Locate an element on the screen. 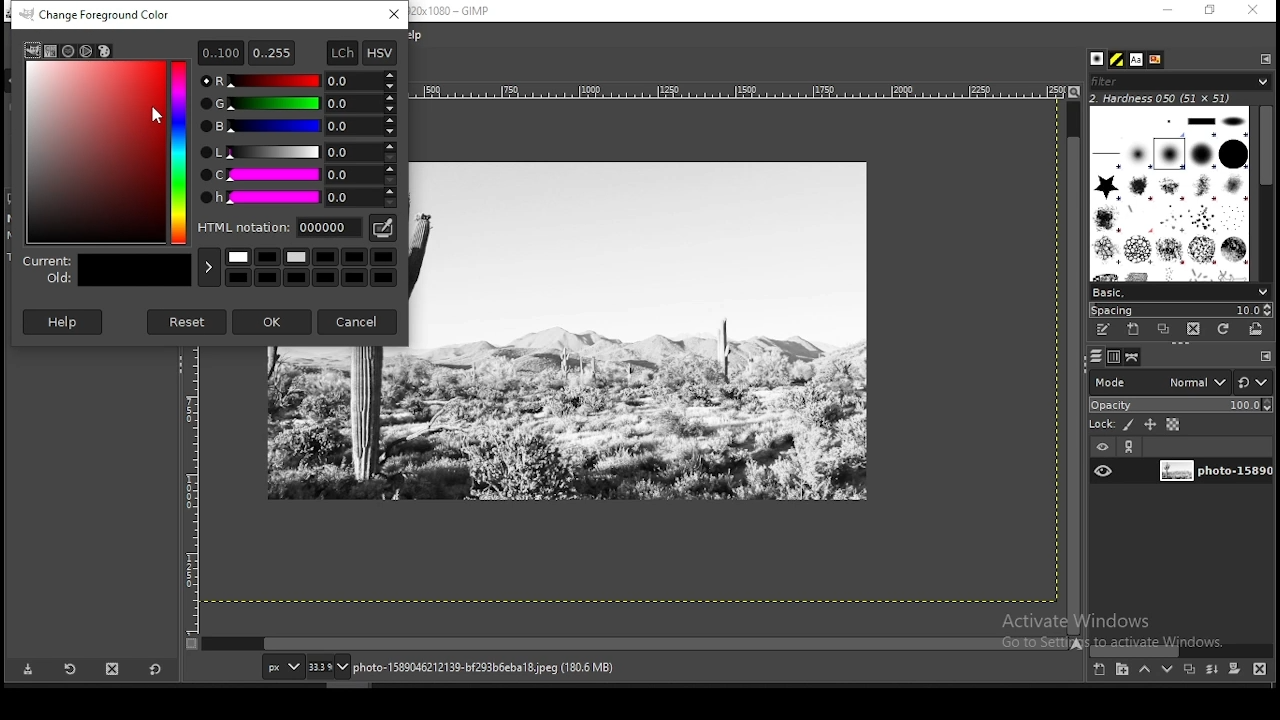 This screenshot has height=720, width=1280. select brush preset is located at coordinates (1178, 291).